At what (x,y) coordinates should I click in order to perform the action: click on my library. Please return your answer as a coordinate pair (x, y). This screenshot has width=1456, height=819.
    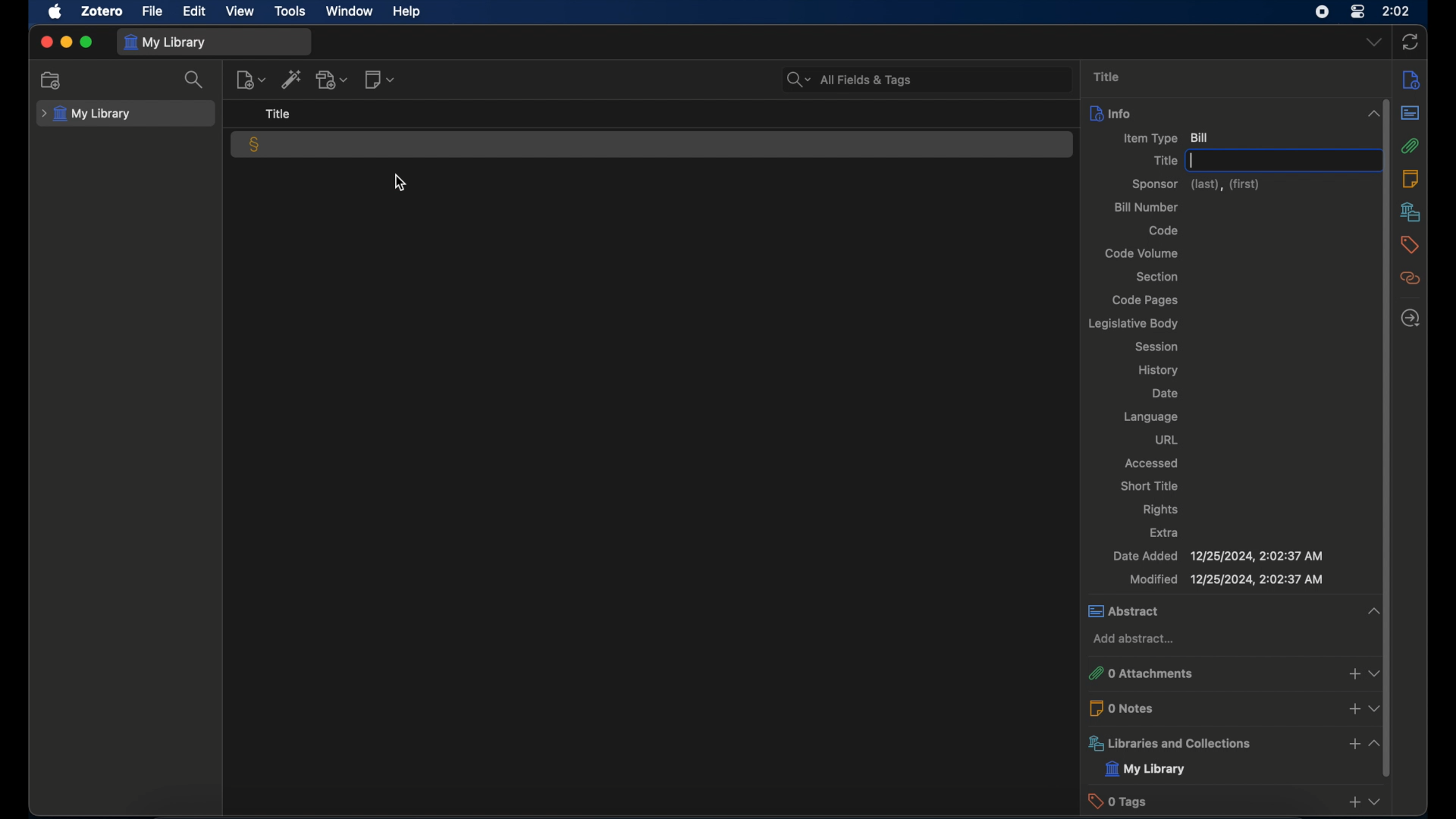
    Looking at the image, I should click on (164, 42).